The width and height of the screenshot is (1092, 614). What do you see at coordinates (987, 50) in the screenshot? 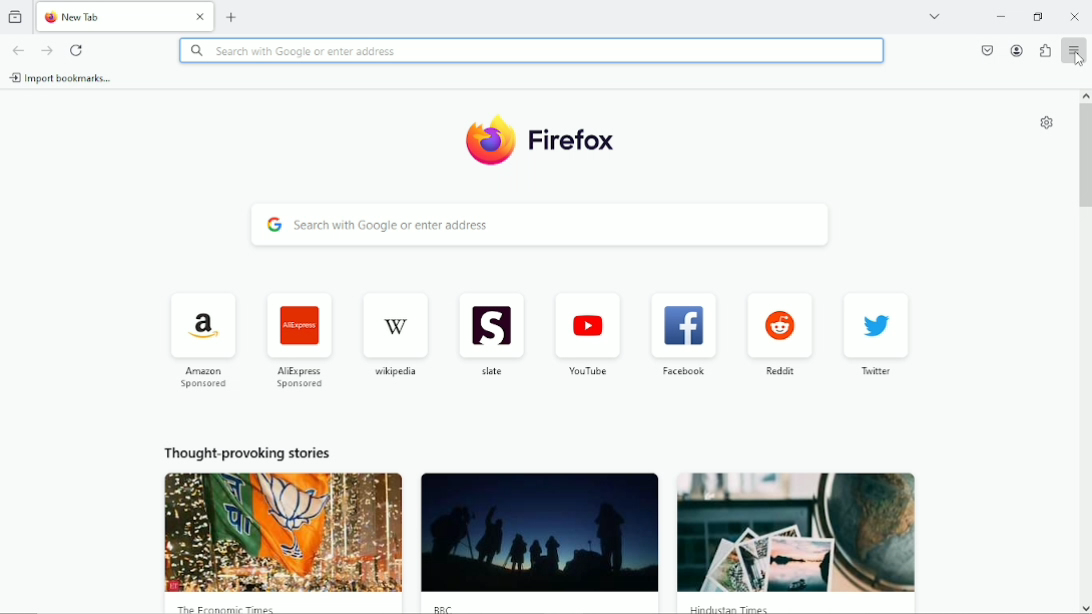
I see `Save to pocket` at bounding box center [987, 50].